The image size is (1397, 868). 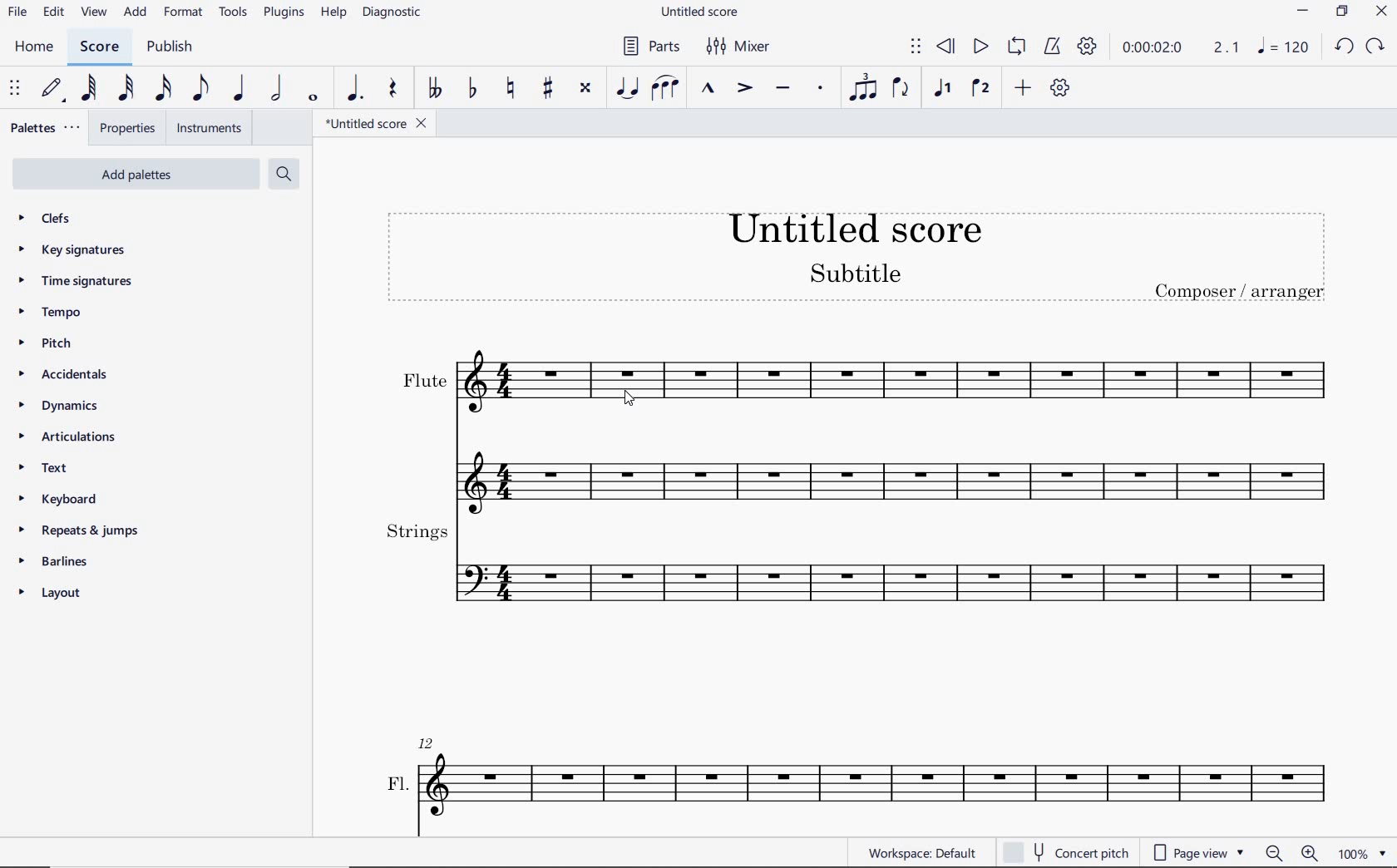 What do you see at coordinates (285, 13) in the screenshot?
I see `PLUGINS` at bounding box center [285, 13].